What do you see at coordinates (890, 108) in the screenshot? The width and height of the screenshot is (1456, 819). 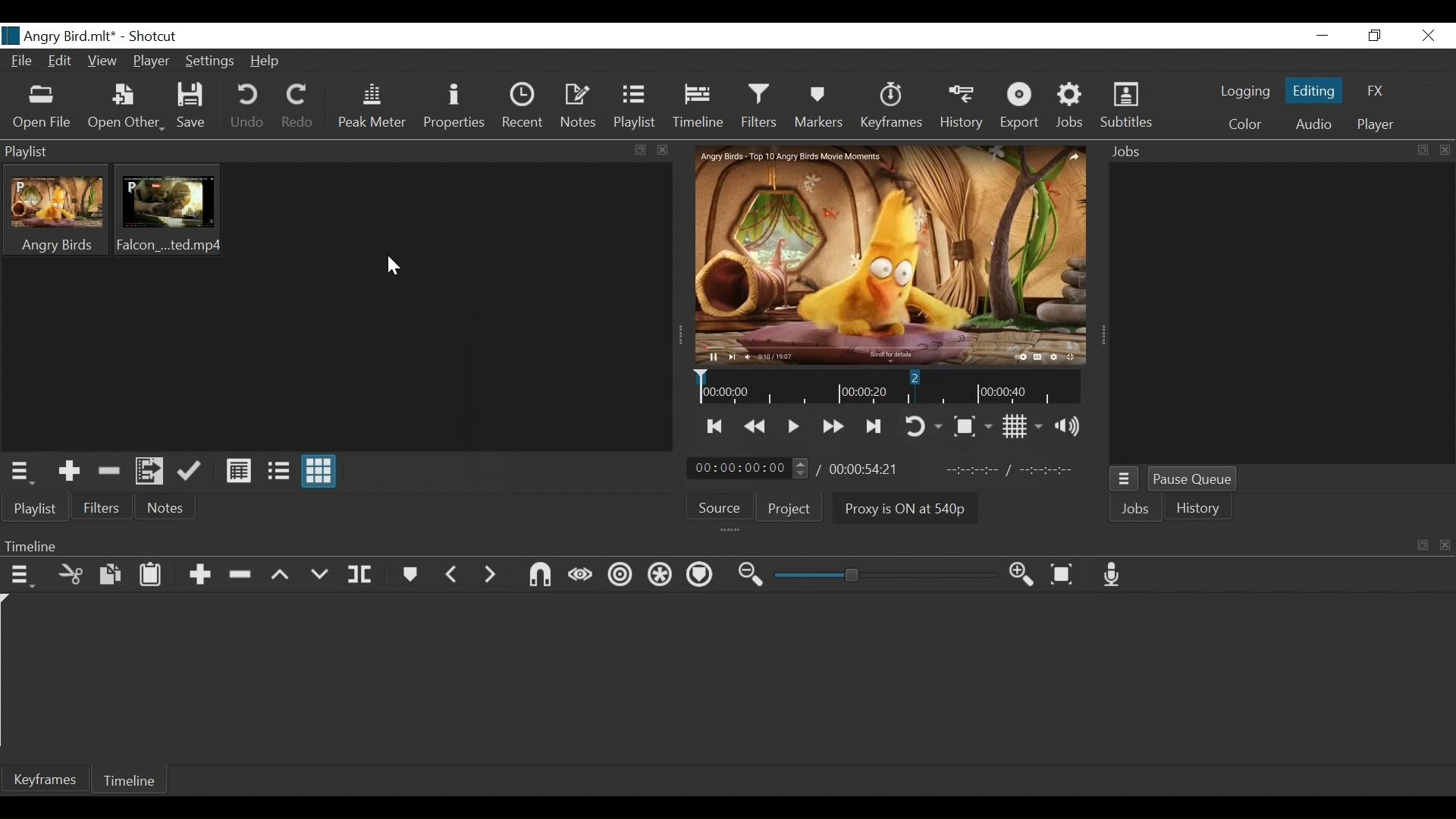 I see `Keyframes` at bounding box center [890, 108].